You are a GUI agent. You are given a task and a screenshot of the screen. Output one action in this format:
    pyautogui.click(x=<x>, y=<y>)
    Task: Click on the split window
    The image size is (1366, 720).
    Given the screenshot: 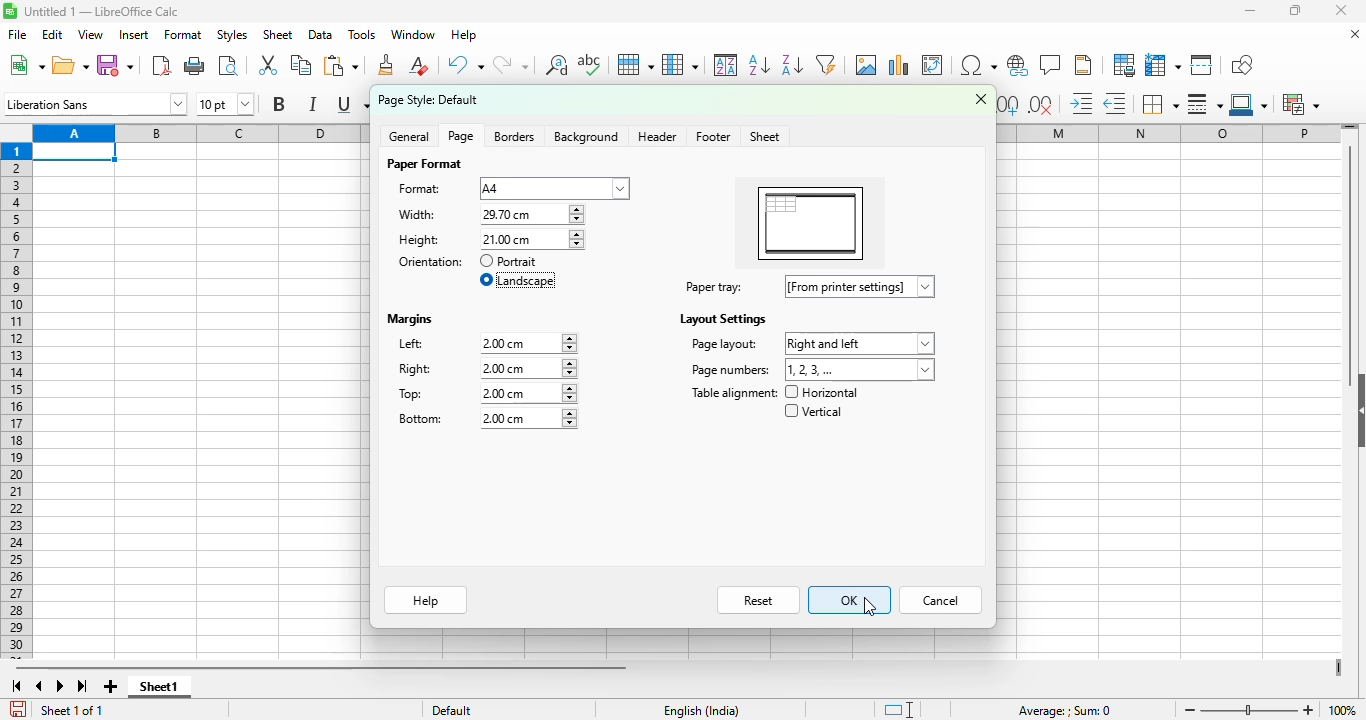 What is the action you would take?
    pyautogui.click(x=1201, y=65)
    